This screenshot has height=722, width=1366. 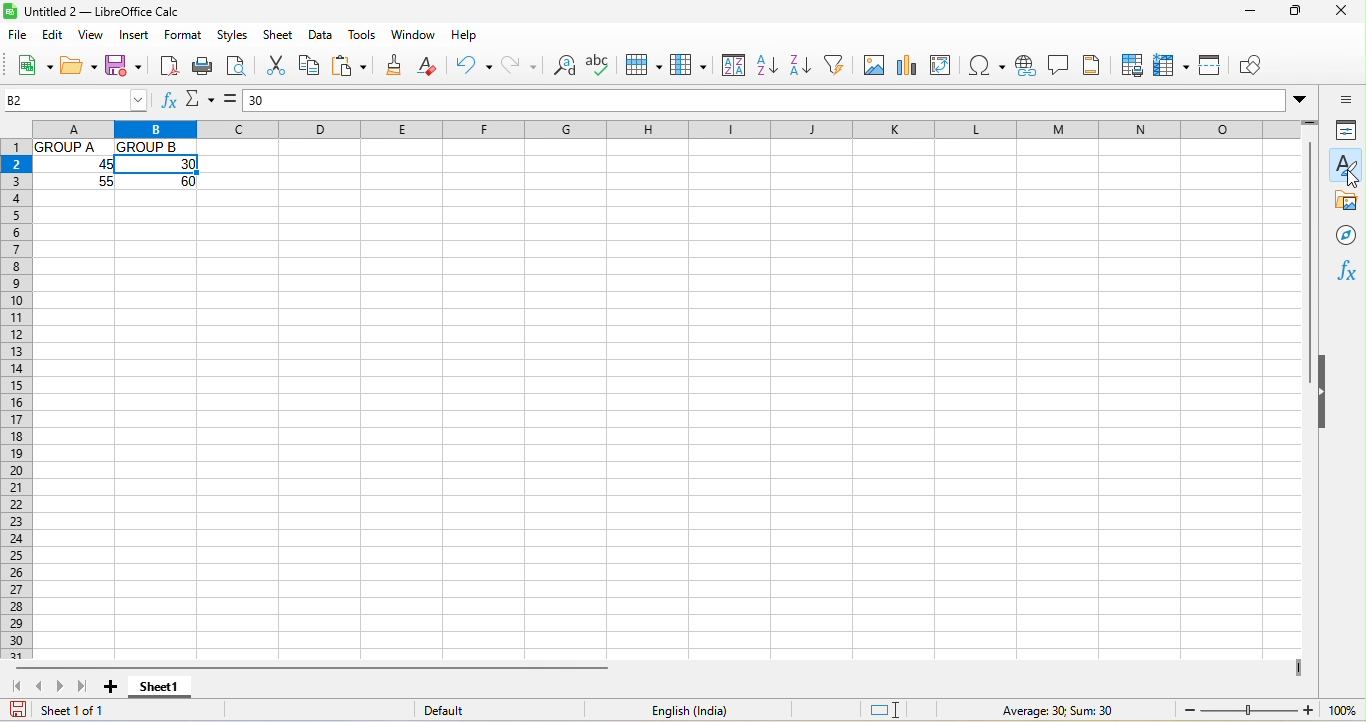 What do you see at coordinates (54, 37) in the screenshot?
I see `edit` at bounding box center [54, 37].